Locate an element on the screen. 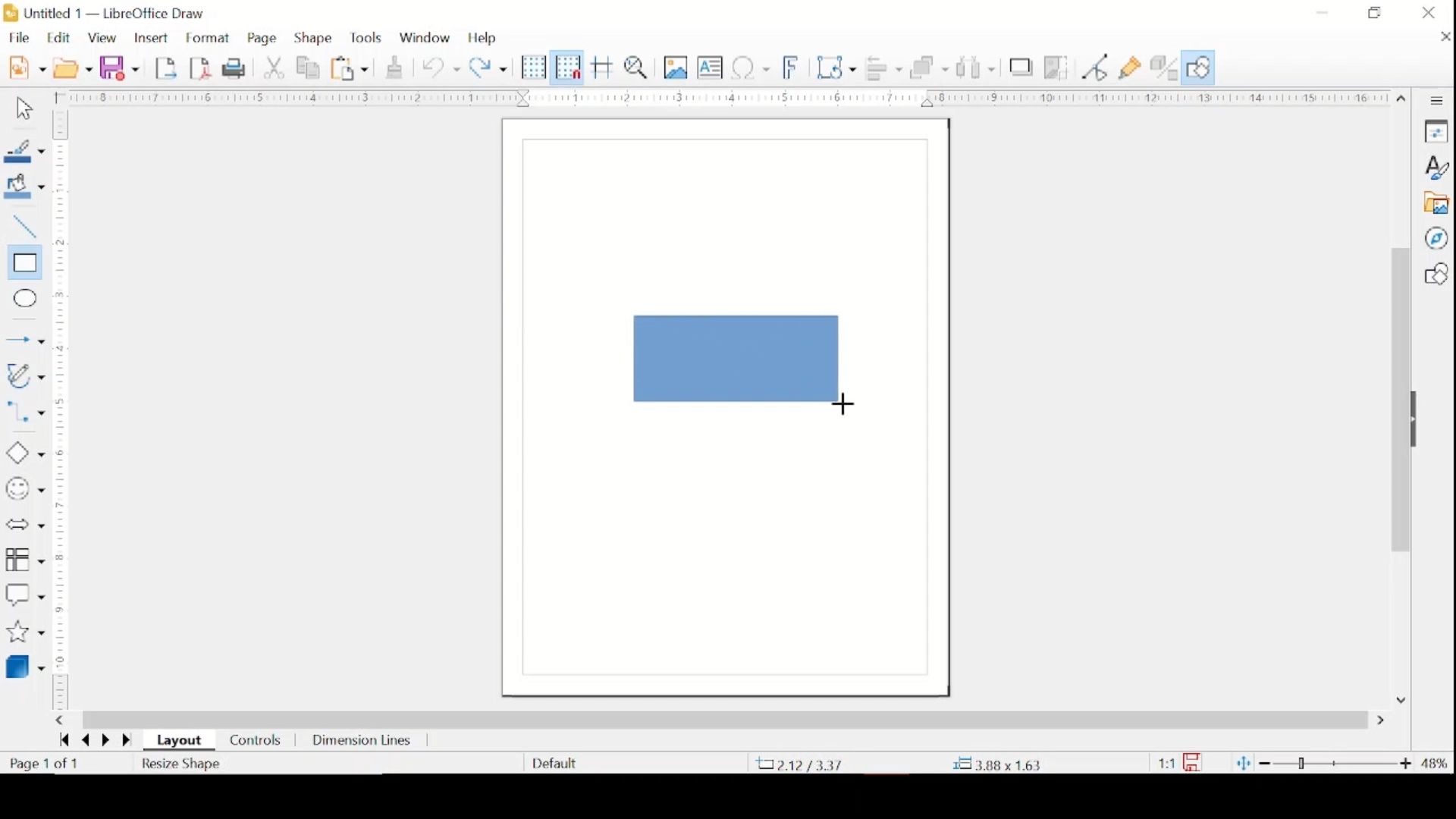  sidebar settings is located at coordinates (1437, 101).